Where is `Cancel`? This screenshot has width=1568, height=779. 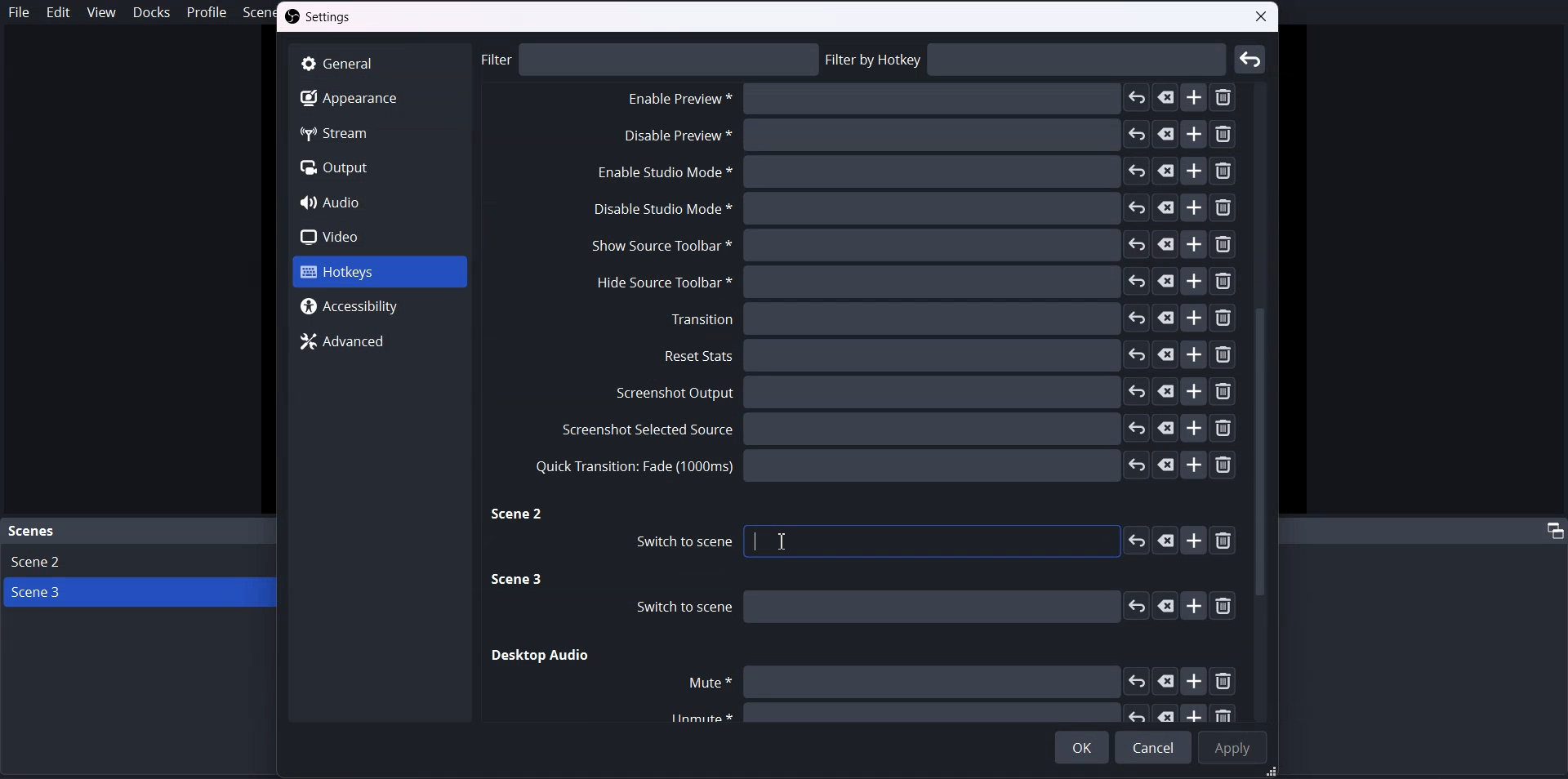
Cancel is located at coordinates (1153, 747).